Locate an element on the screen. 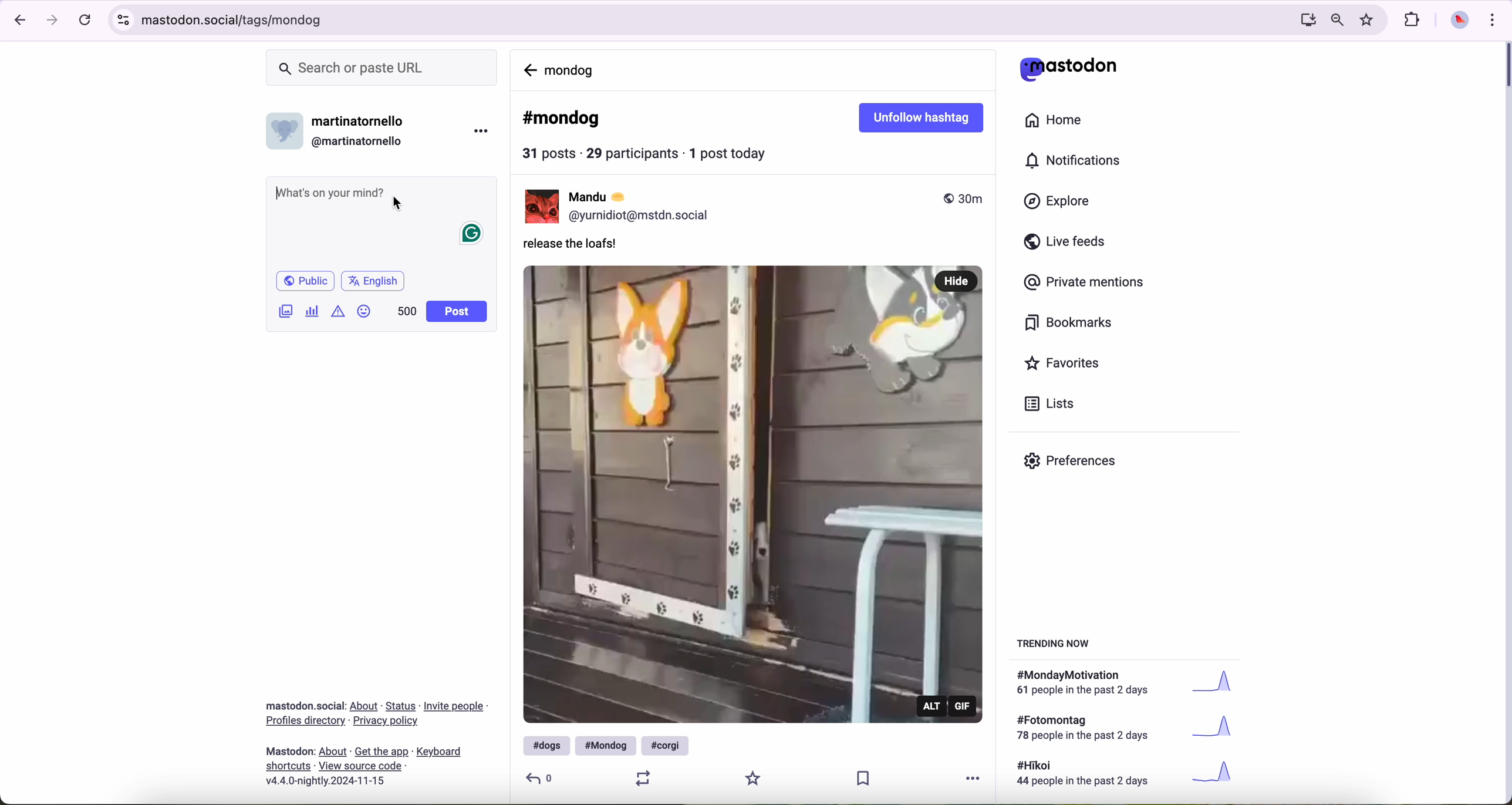 The image size is (1512, 805). release the loafs! is located at coordinates (575, 247).